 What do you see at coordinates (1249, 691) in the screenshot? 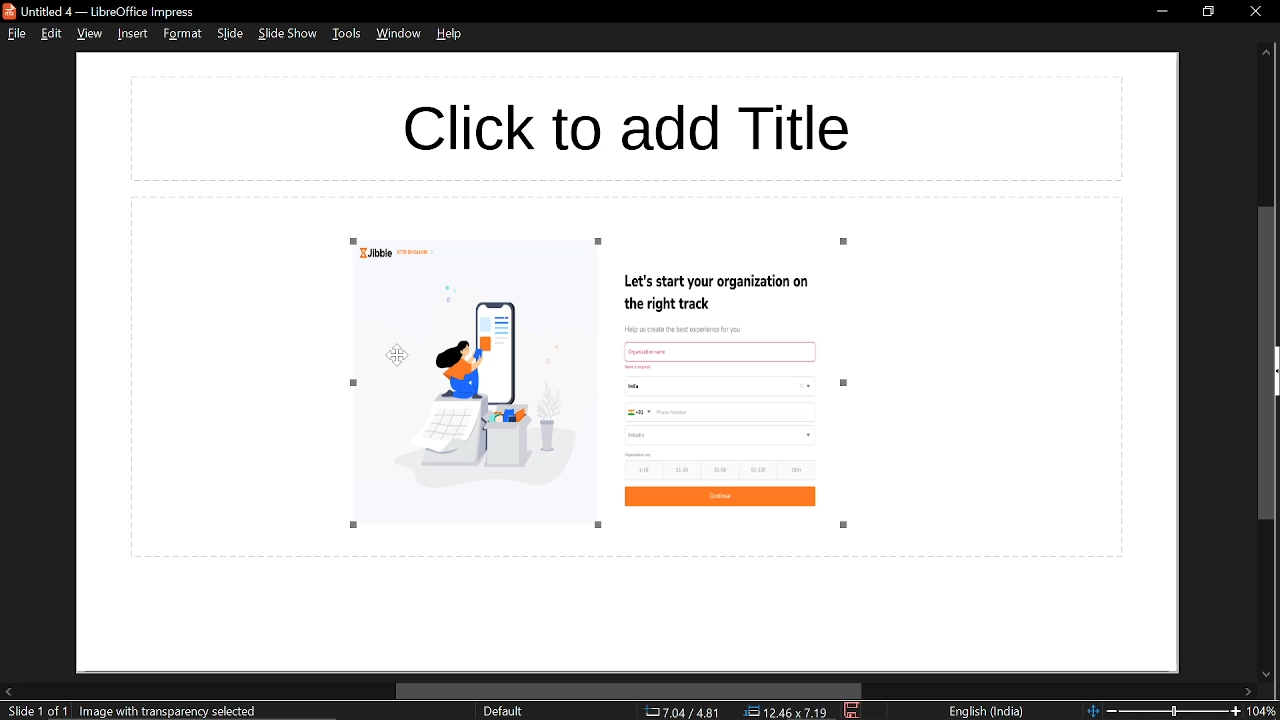
I see `move right` at bounding box center [1249, 691].